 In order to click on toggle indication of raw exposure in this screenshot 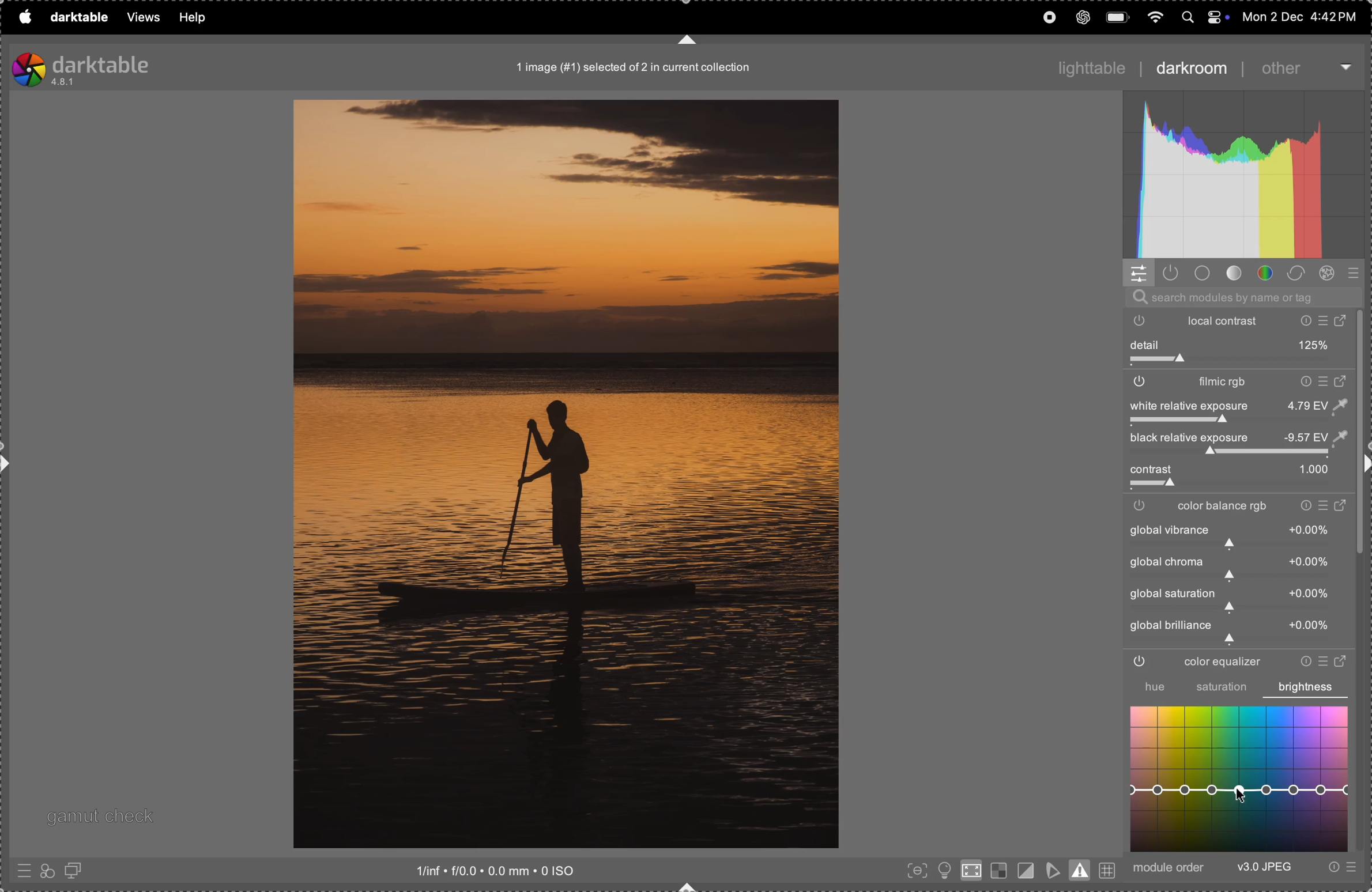, I will do `click(997, 871)`.